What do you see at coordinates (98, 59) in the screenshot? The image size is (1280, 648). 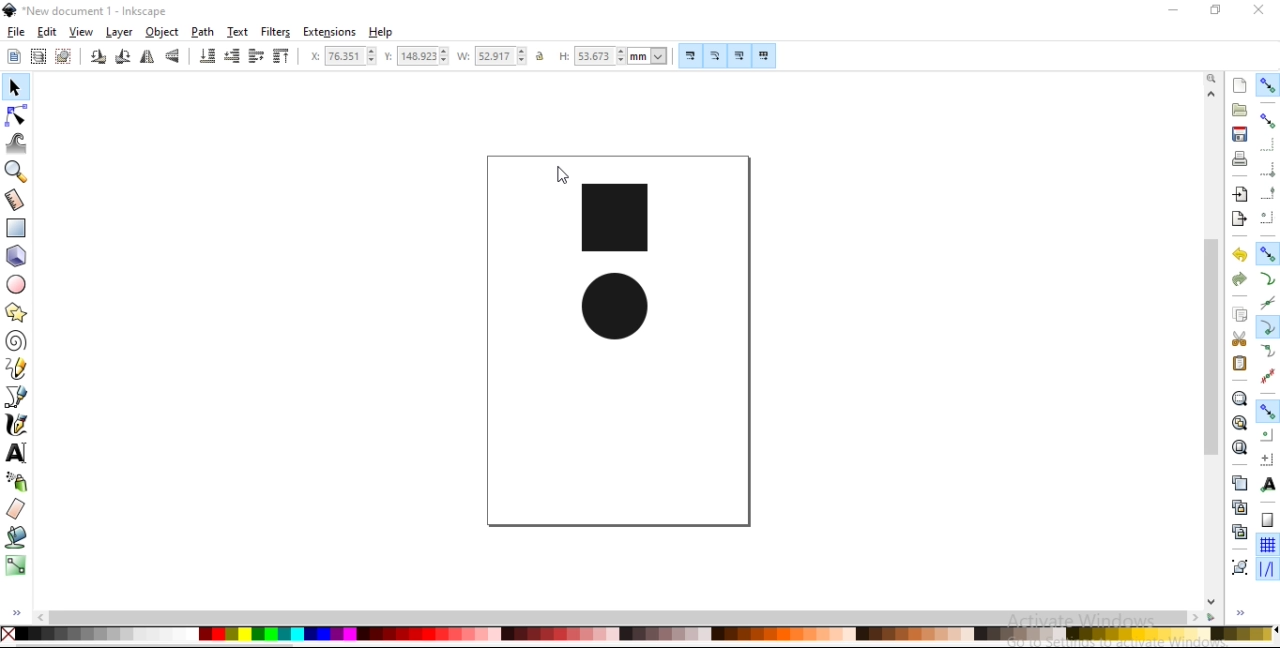 I see `rotate 90 counter clockwise` at bounding box center [98, 59].